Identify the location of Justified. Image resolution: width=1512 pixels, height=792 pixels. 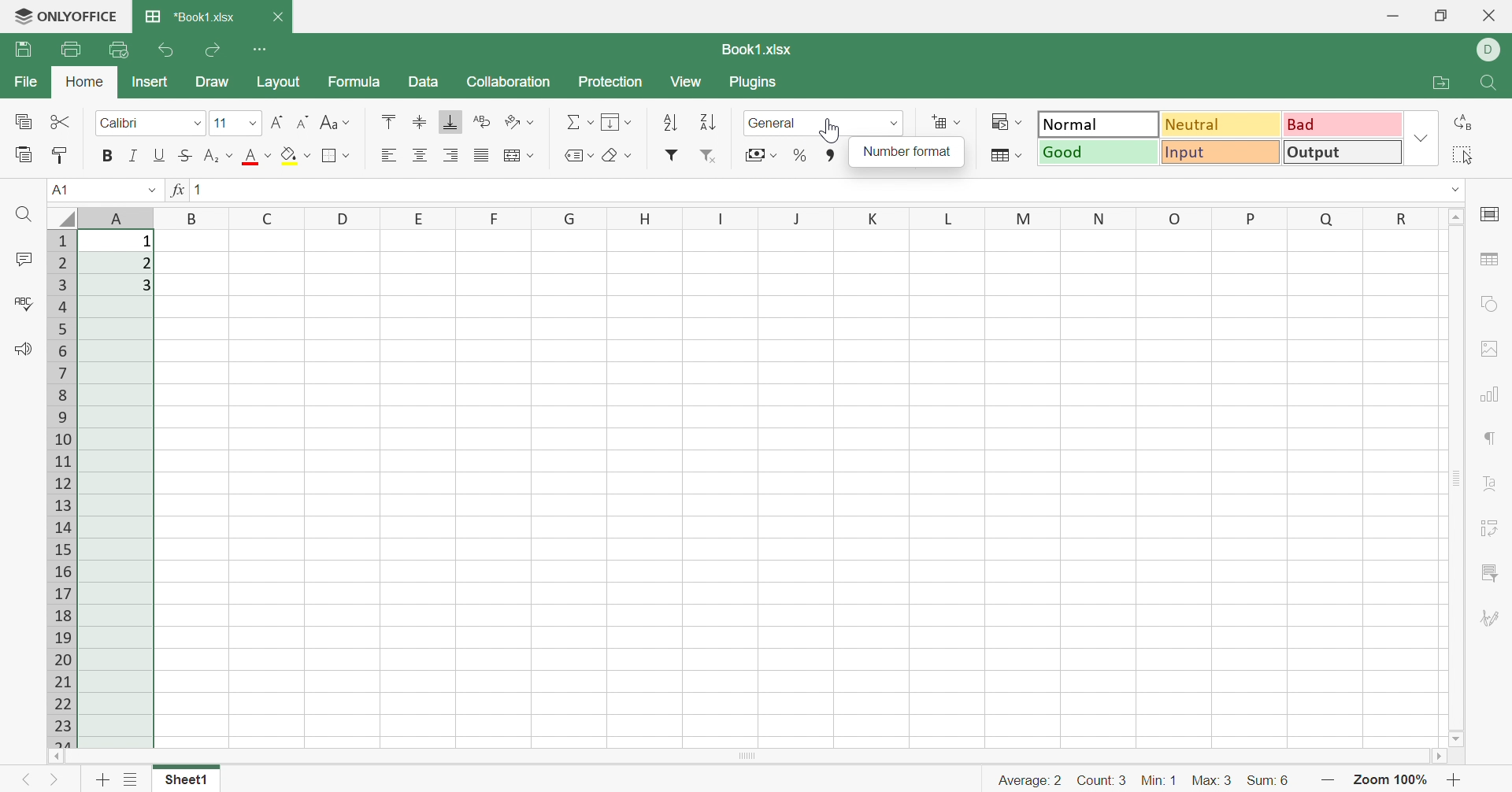
(483, 154).